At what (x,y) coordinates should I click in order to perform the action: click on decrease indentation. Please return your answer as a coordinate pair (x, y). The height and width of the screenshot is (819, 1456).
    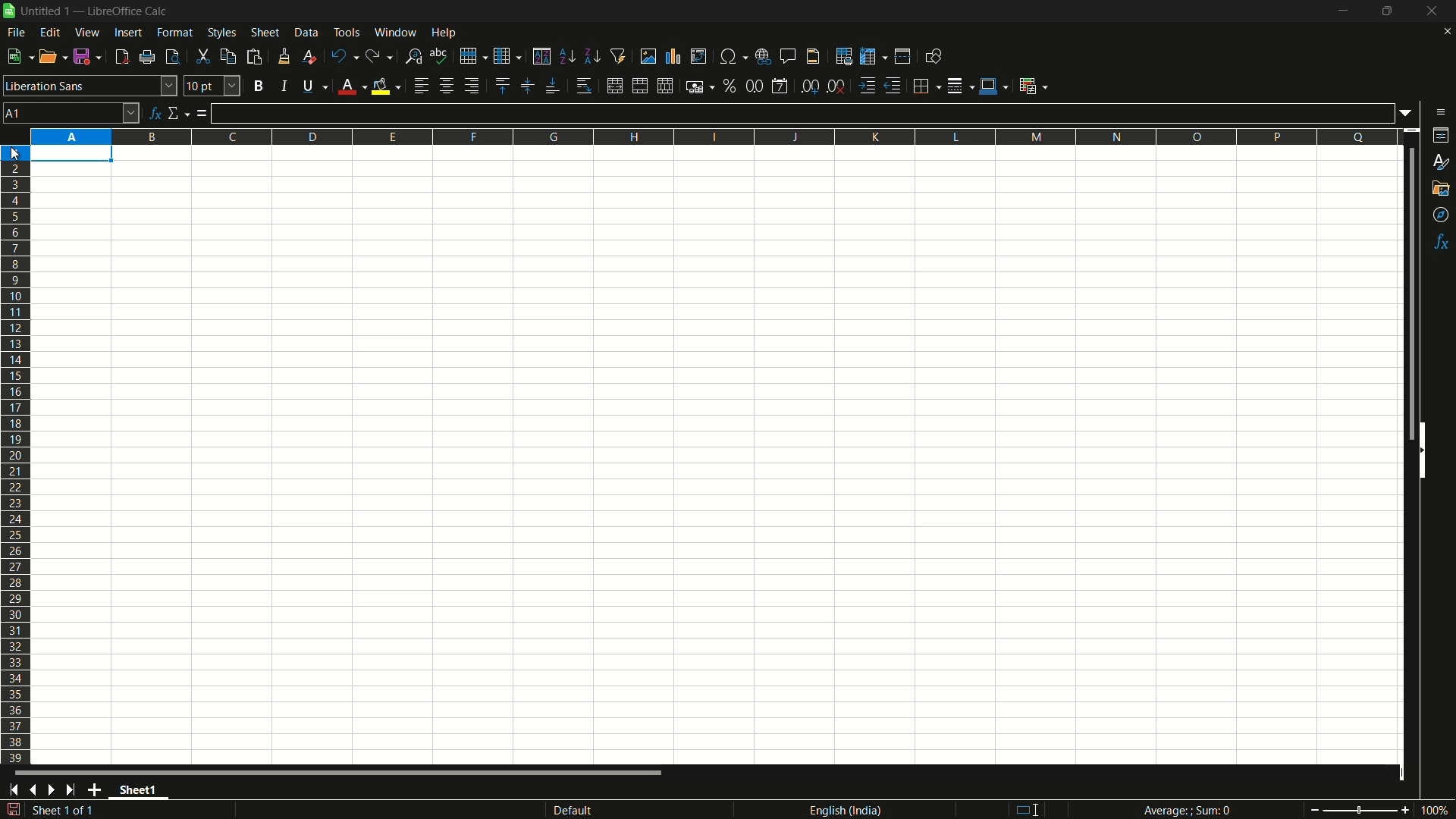
    Looking at the image, I should click on (894, 86).